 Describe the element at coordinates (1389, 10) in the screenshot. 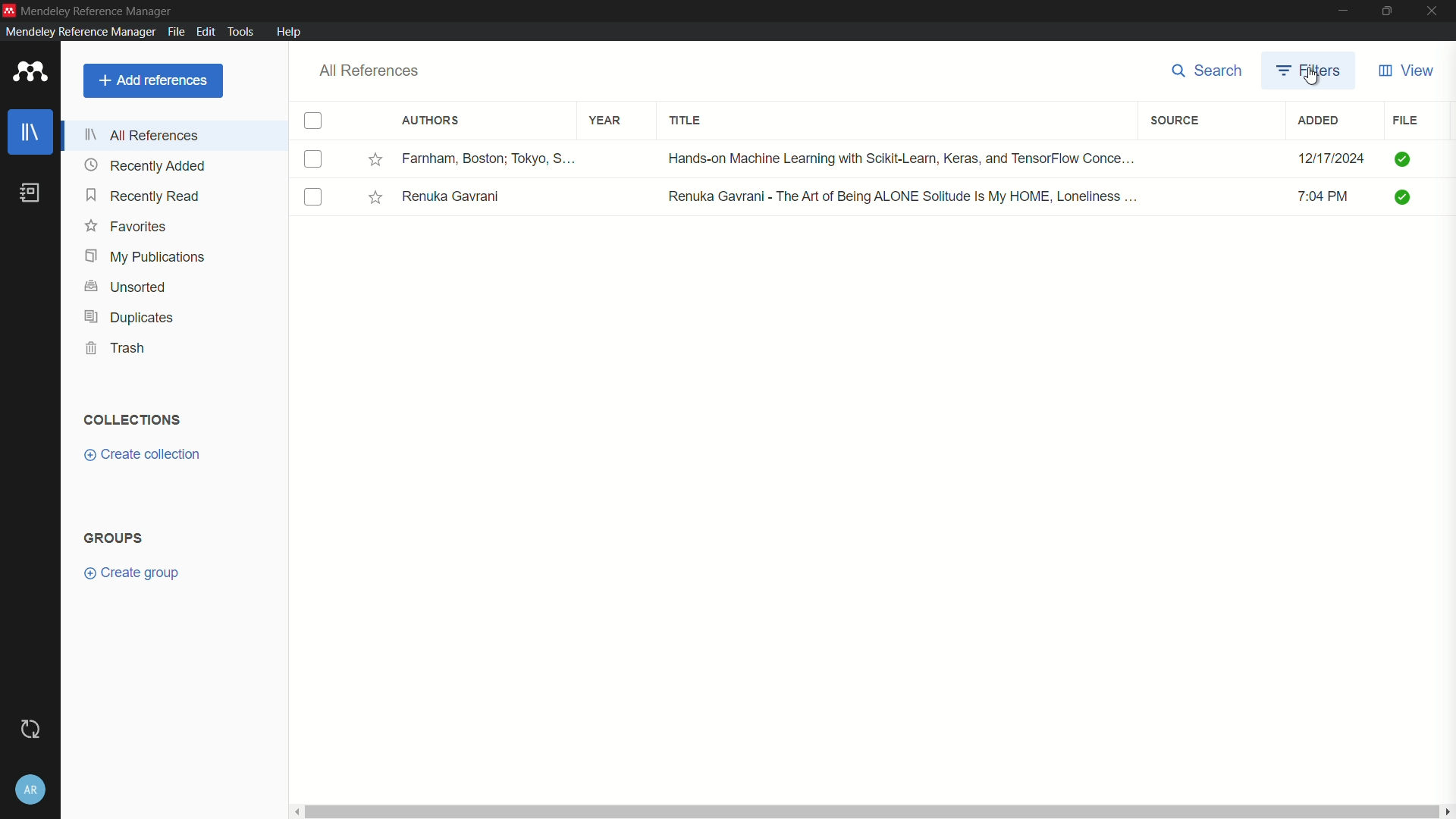

I see `maximize` at that location.